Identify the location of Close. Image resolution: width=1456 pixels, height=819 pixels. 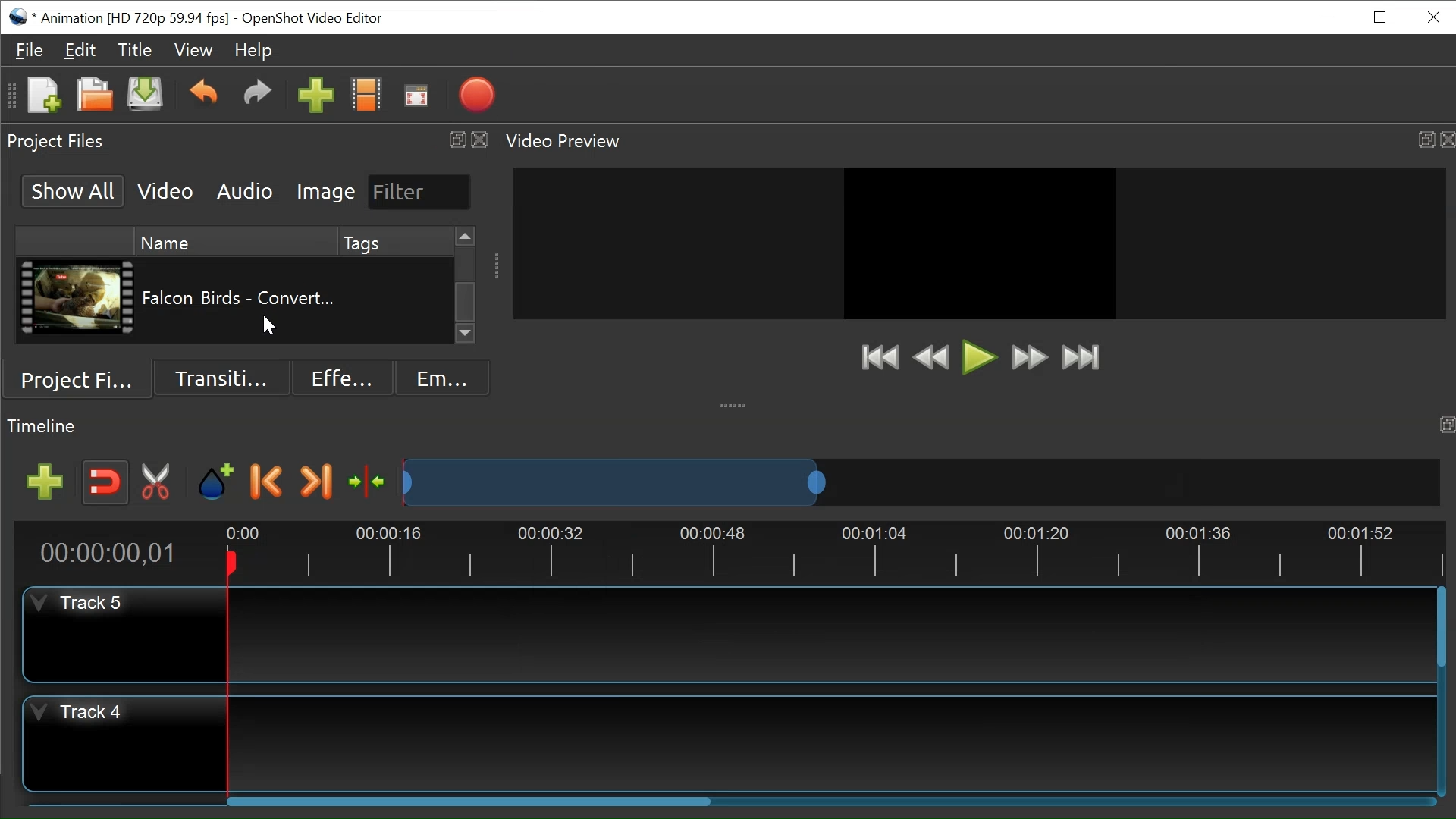
(1431, 17).